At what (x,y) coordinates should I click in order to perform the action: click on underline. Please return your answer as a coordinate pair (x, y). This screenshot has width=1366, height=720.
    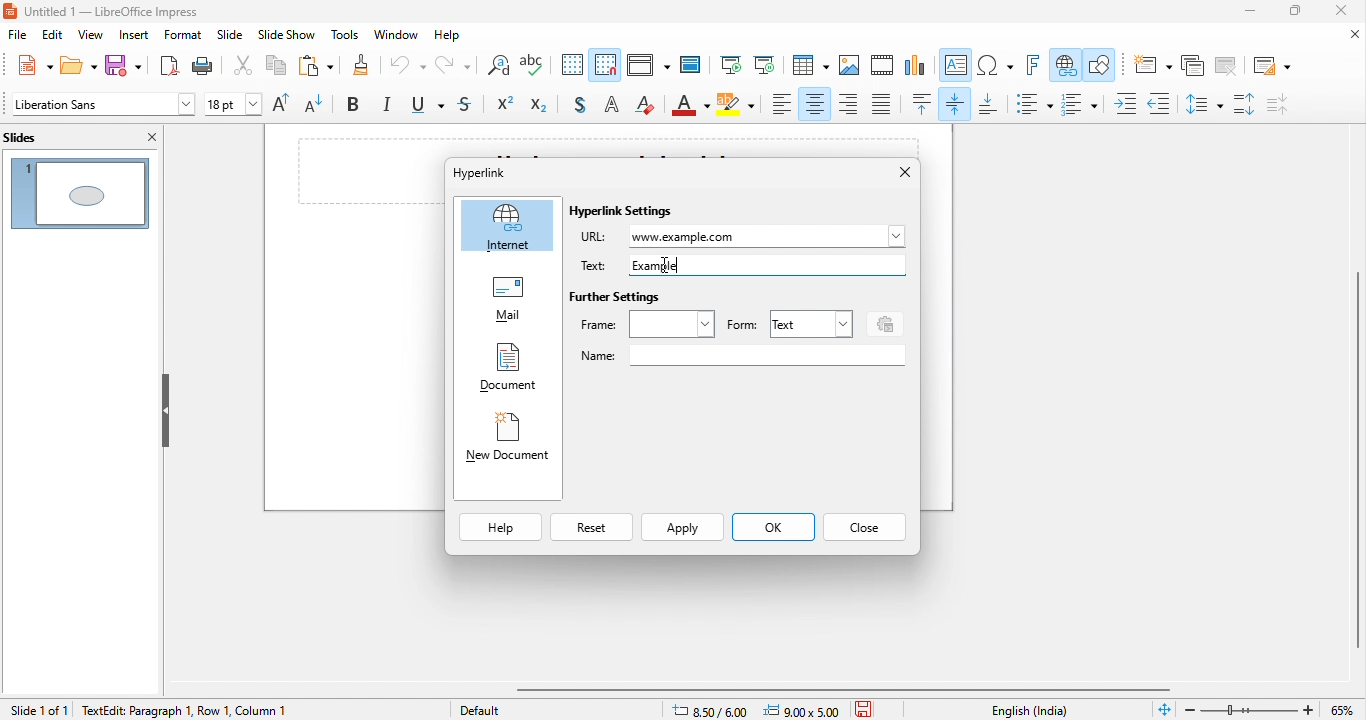
    Looking at the image, I should click on (430, 107).